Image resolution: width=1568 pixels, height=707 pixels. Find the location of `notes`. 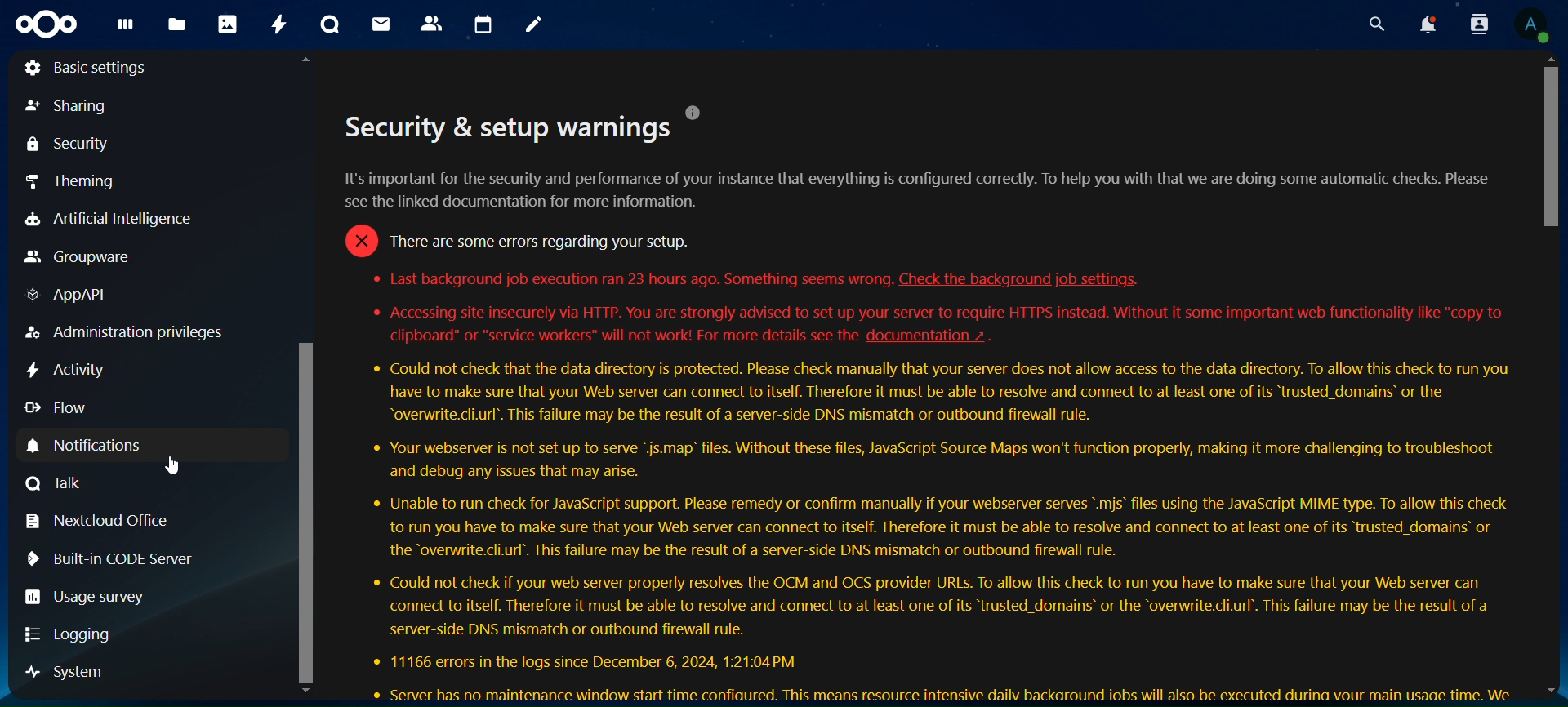

notes is located at coordinates (534, 25).